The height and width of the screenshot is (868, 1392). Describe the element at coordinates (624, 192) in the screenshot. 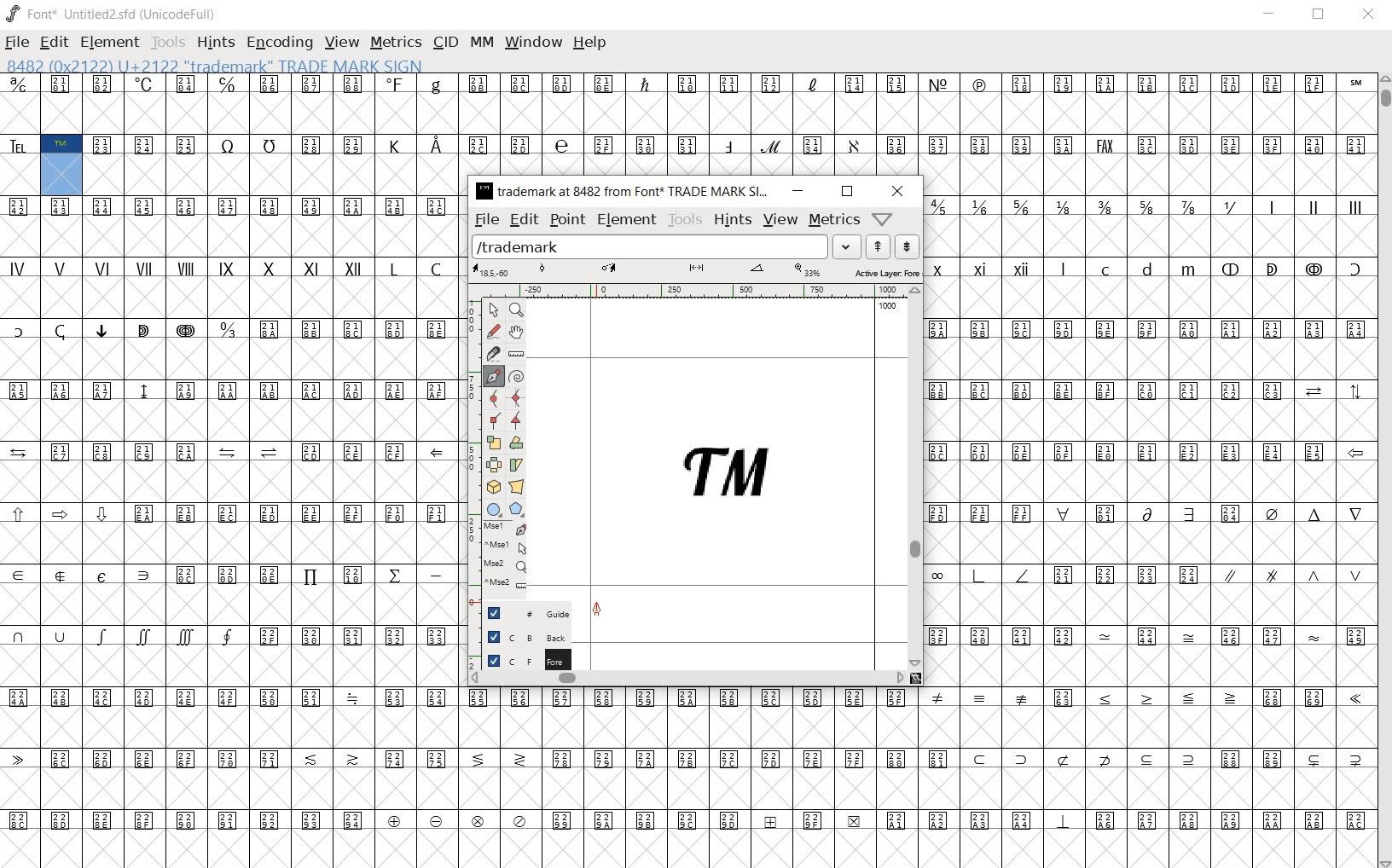

I see `trademark at 8482 from Font TRADE MARK SIG...` at that location.